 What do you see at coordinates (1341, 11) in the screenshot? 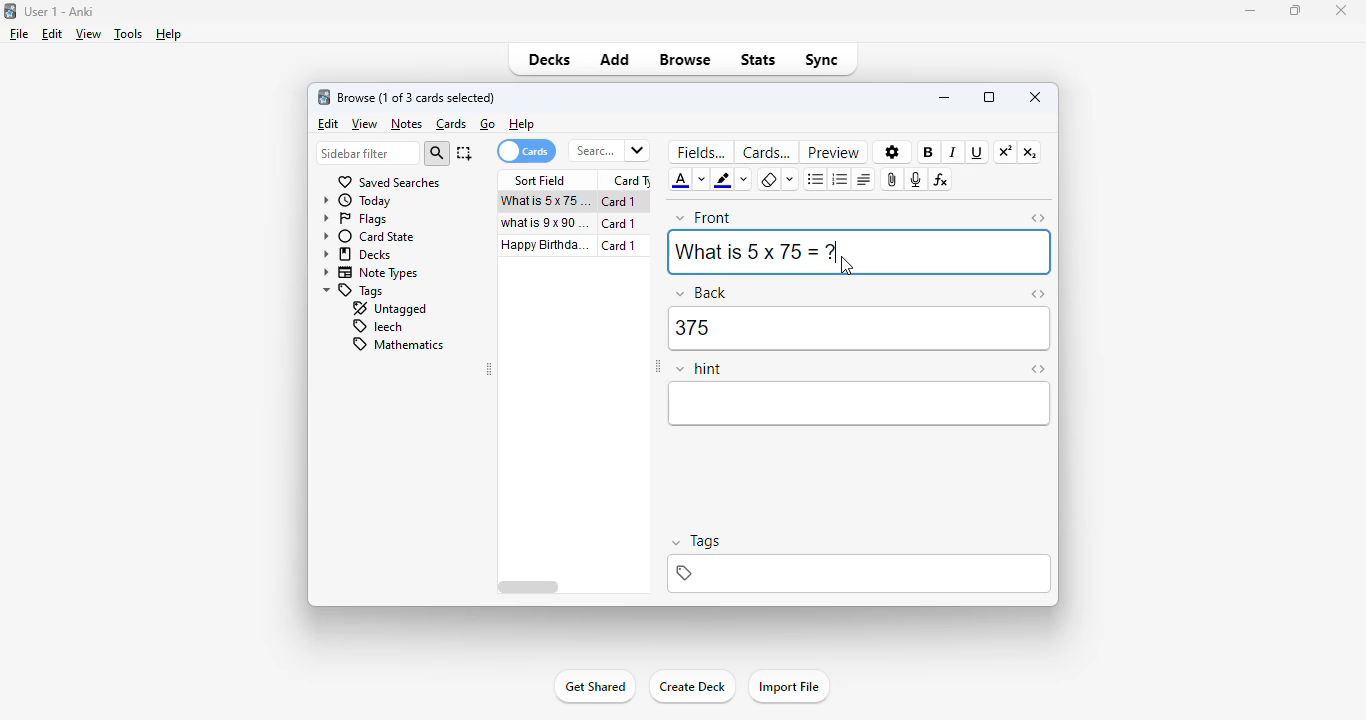
I see `close` at bounding box center [1341, 11].